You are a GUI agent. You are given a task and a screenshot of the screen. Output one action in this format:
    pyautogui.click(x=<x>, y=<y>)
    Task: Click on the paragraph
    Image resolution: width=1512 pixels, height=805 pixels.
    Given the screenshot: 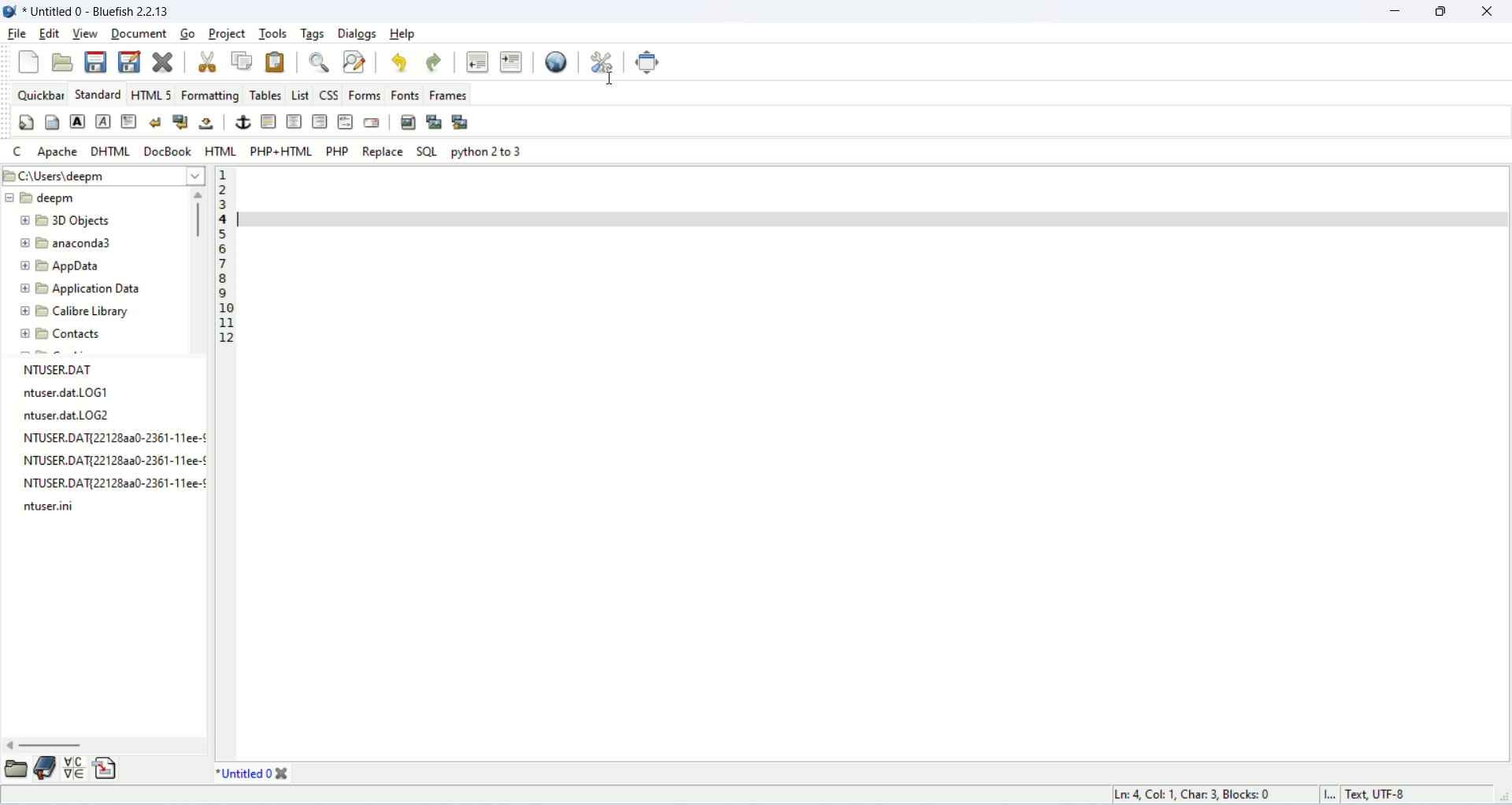 What is the action you would take?
    pyautogui.click(x=130, y=121)
    